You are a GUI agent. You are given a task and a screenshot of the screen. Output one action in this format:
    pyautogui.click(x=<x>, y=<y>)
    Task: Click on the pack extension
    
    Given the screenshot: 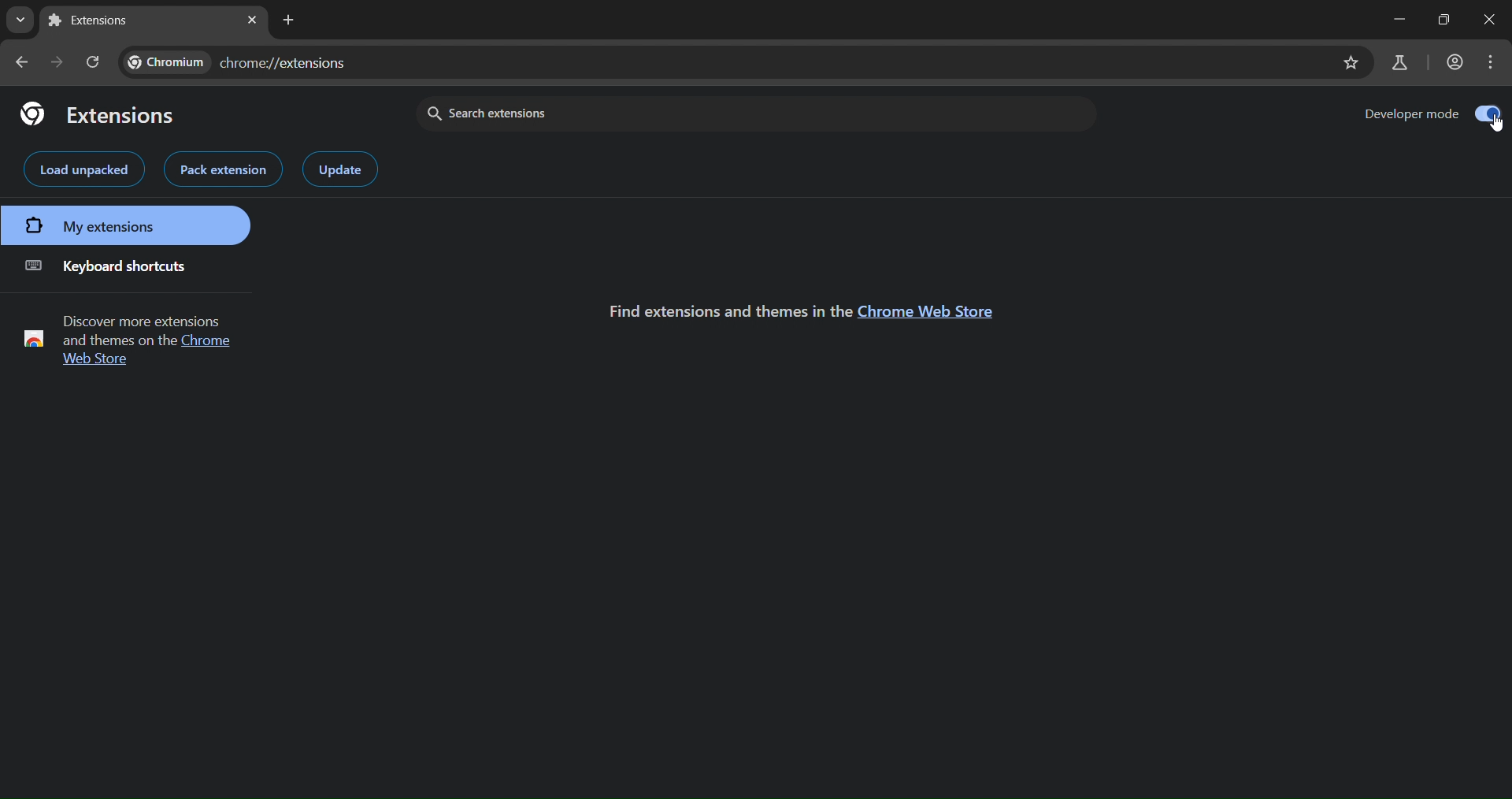 What is the action you would take?
    pyautogui.click(x=224, y=170)
    